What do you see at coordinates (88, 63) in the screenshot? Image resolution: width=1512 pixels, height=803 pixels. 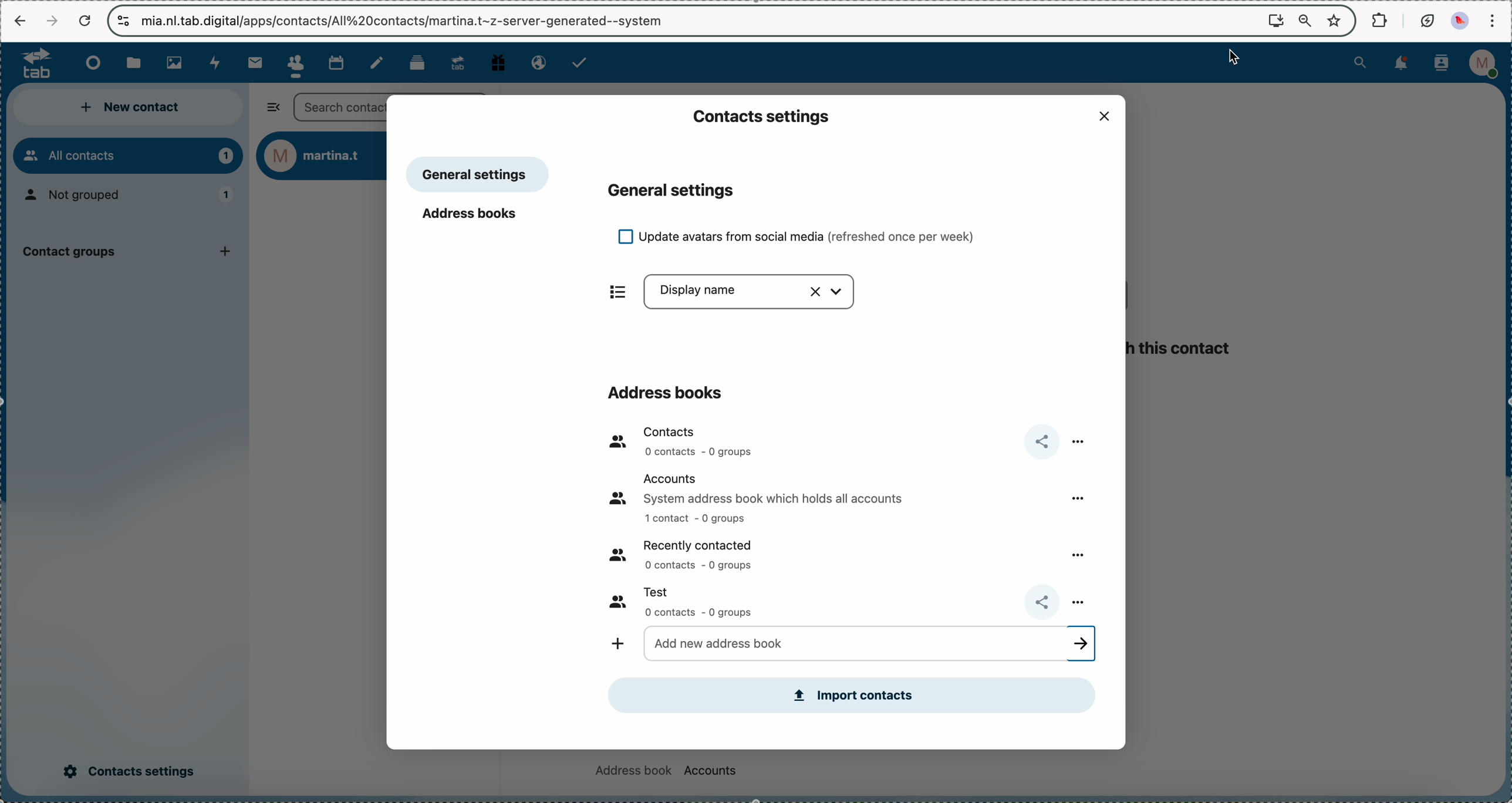 I see `dashboard` at bounding box center [88, 63].